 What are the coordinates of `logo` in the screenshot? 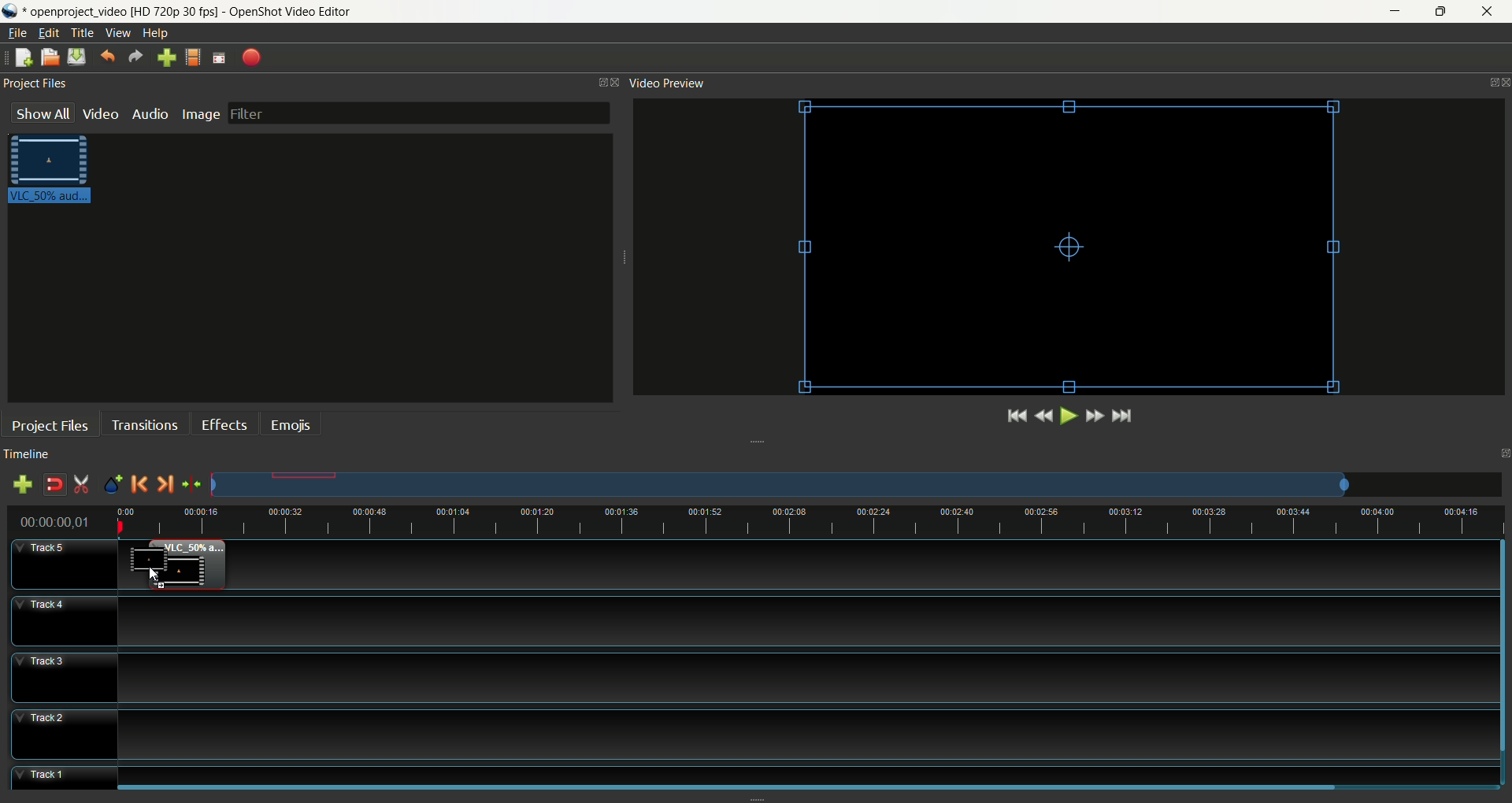 It's located at (13, 13).